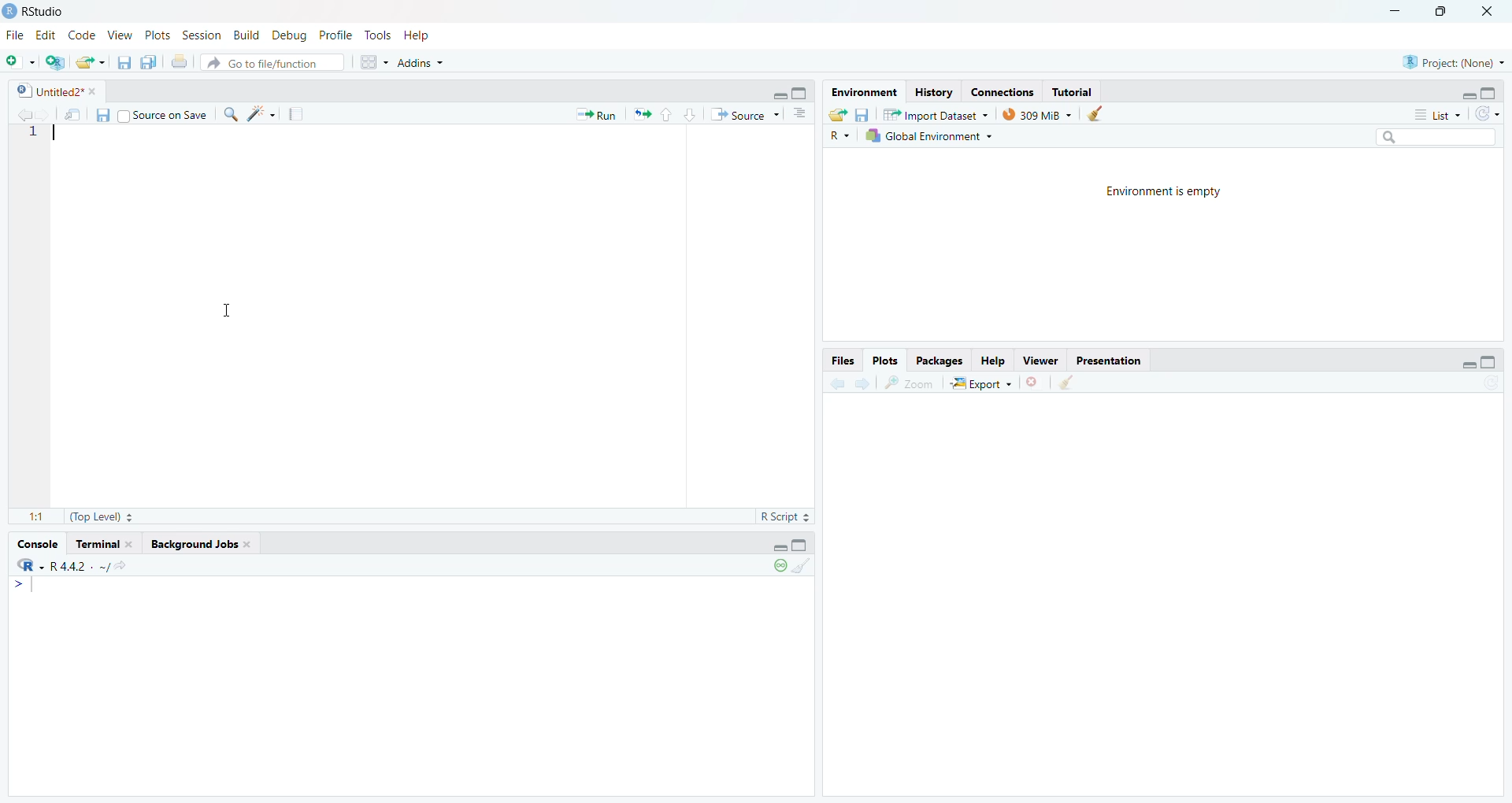  Describe the element at coordinates (27, 519) in the screenshot. I see `1:!` at that location.